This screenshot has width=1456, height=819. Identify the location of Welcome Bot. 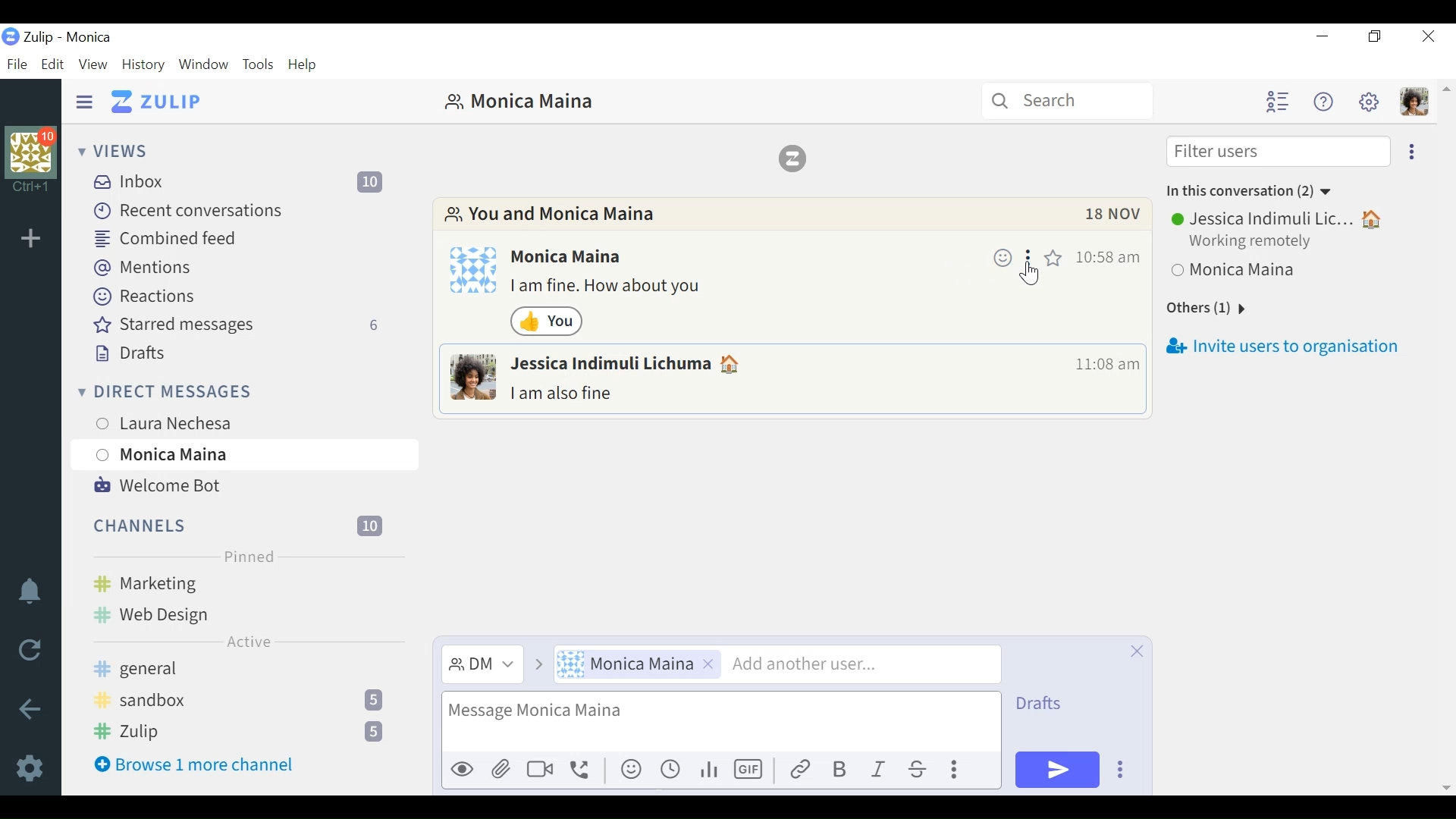
(156, 486).